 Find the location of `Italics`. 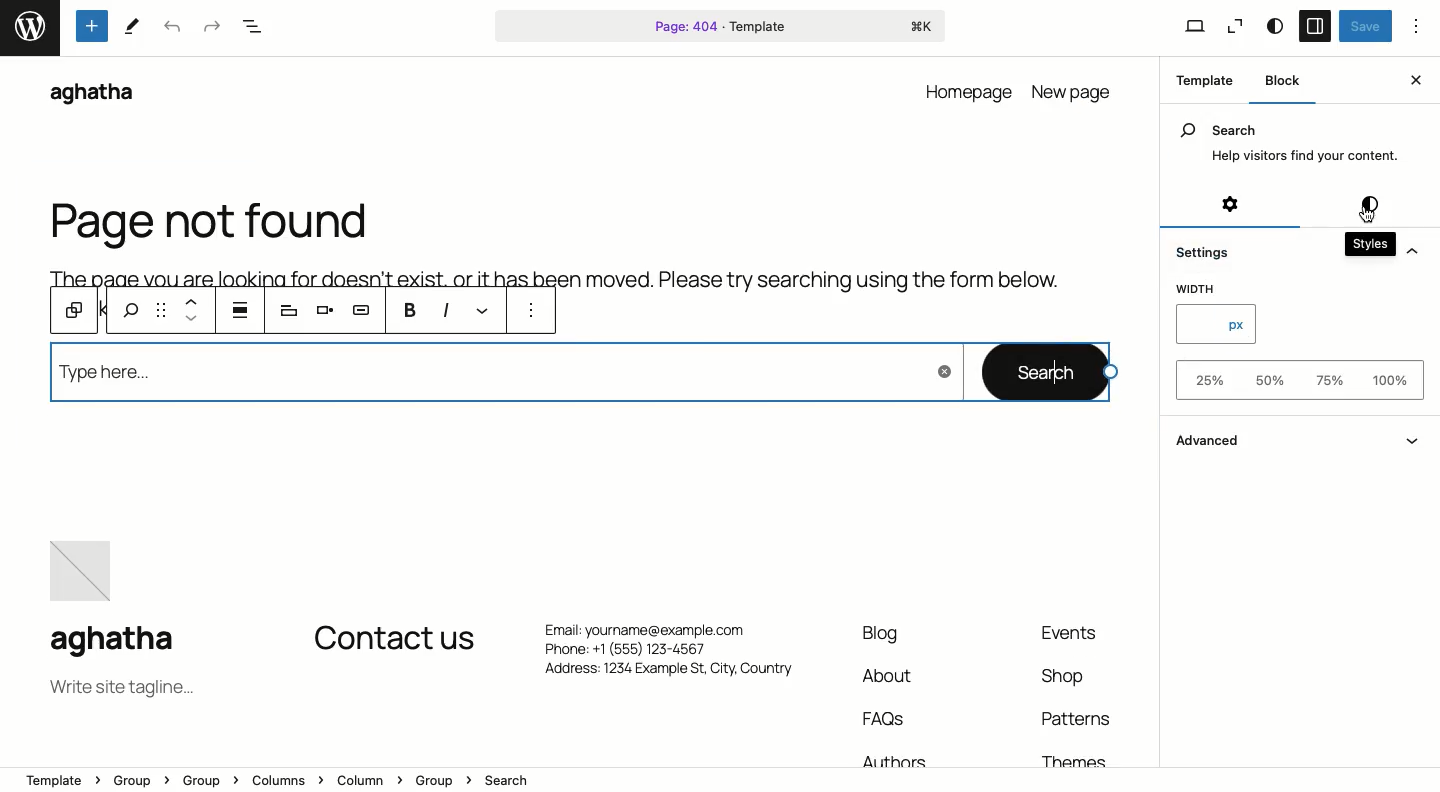

Italics is located at coordinates (448, 310).